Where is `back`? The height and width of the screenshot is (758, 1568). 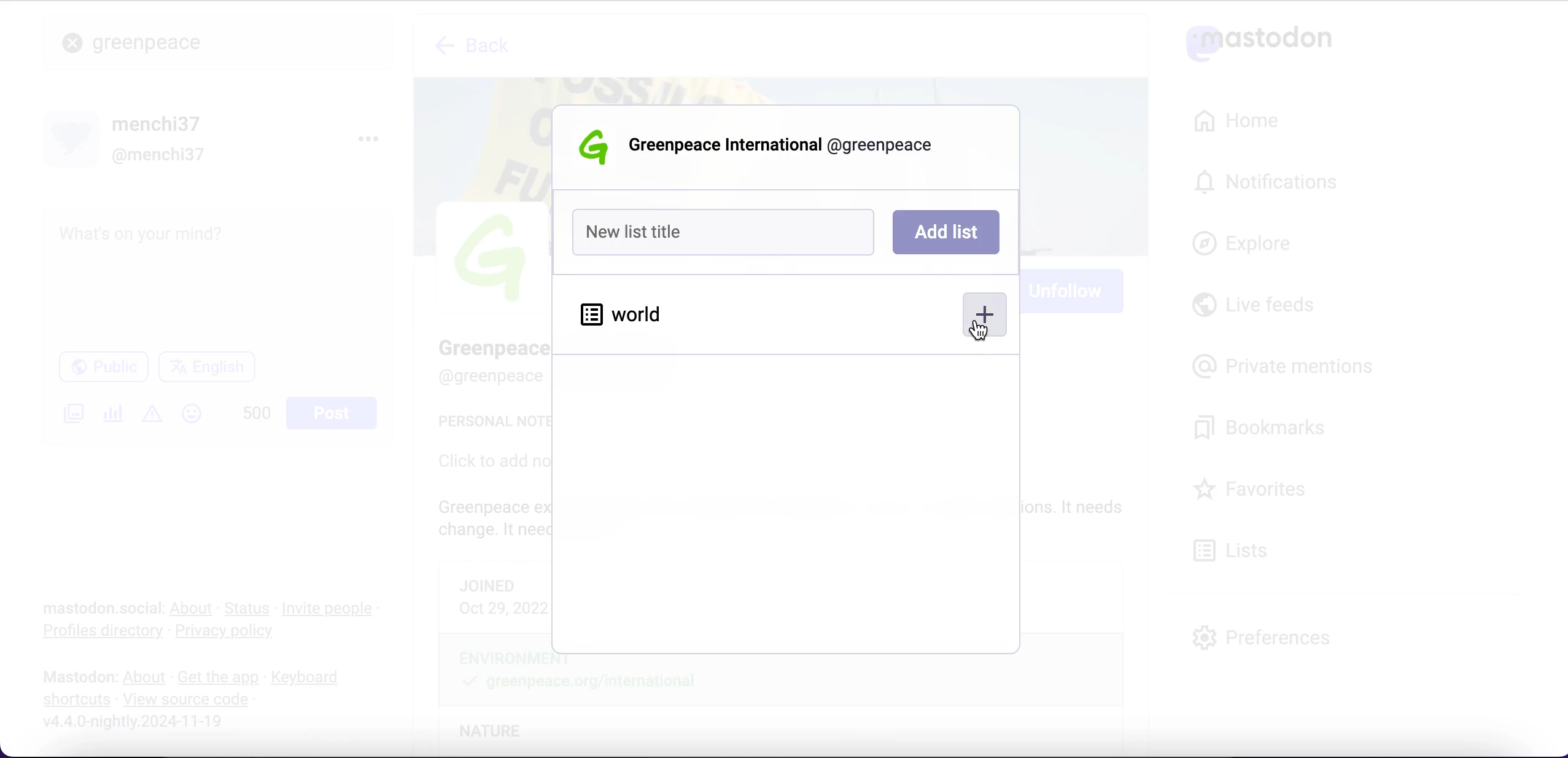
back is located at coordinates (475, 49).